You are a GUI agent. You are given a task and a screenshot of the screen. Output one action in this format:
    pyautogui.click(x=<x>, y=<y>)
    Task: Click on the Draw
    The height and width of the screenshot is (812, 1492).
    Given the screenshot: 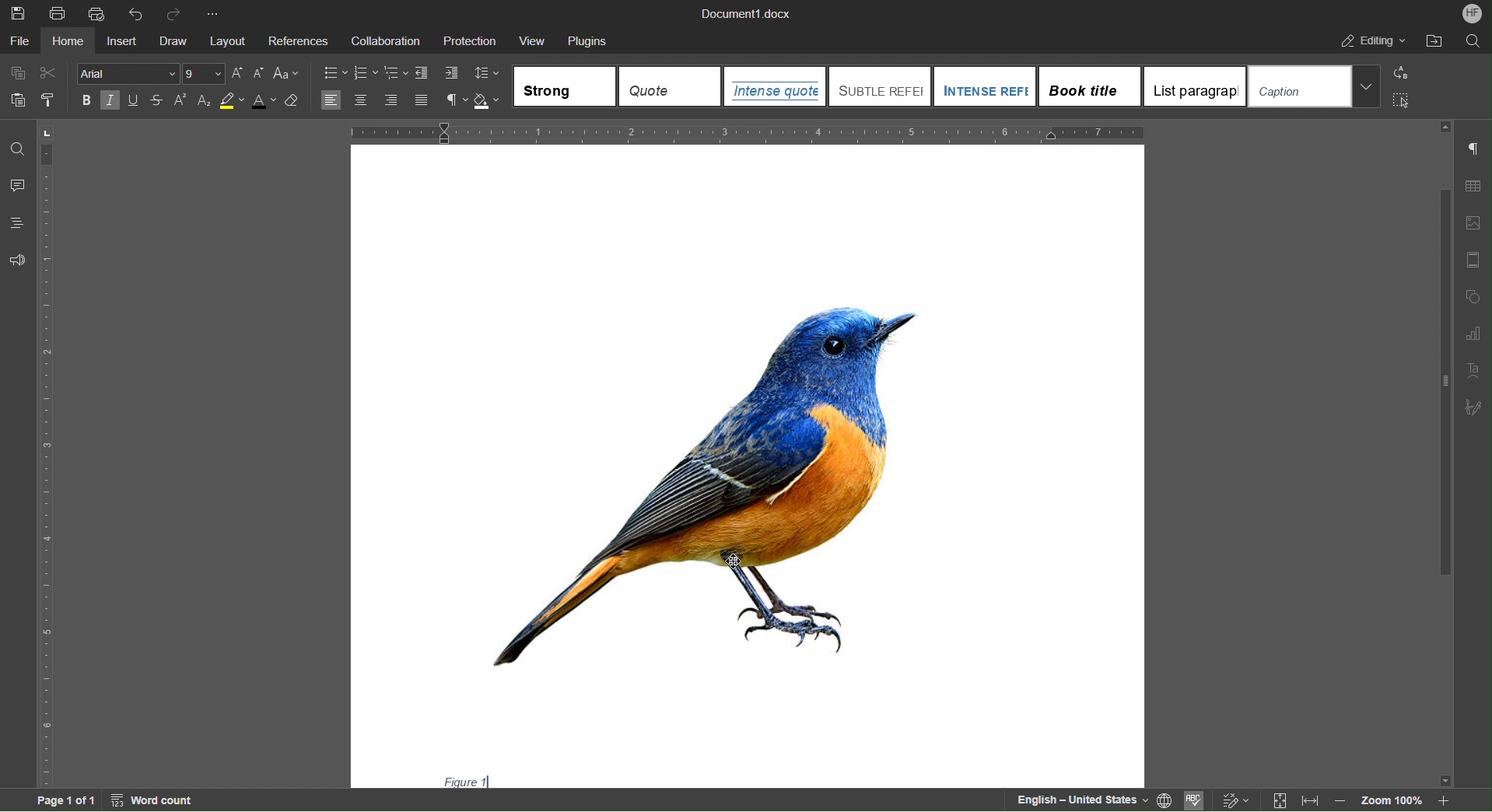 What is the action you would take?
    pyautogui.click(x=170, y=43)
    